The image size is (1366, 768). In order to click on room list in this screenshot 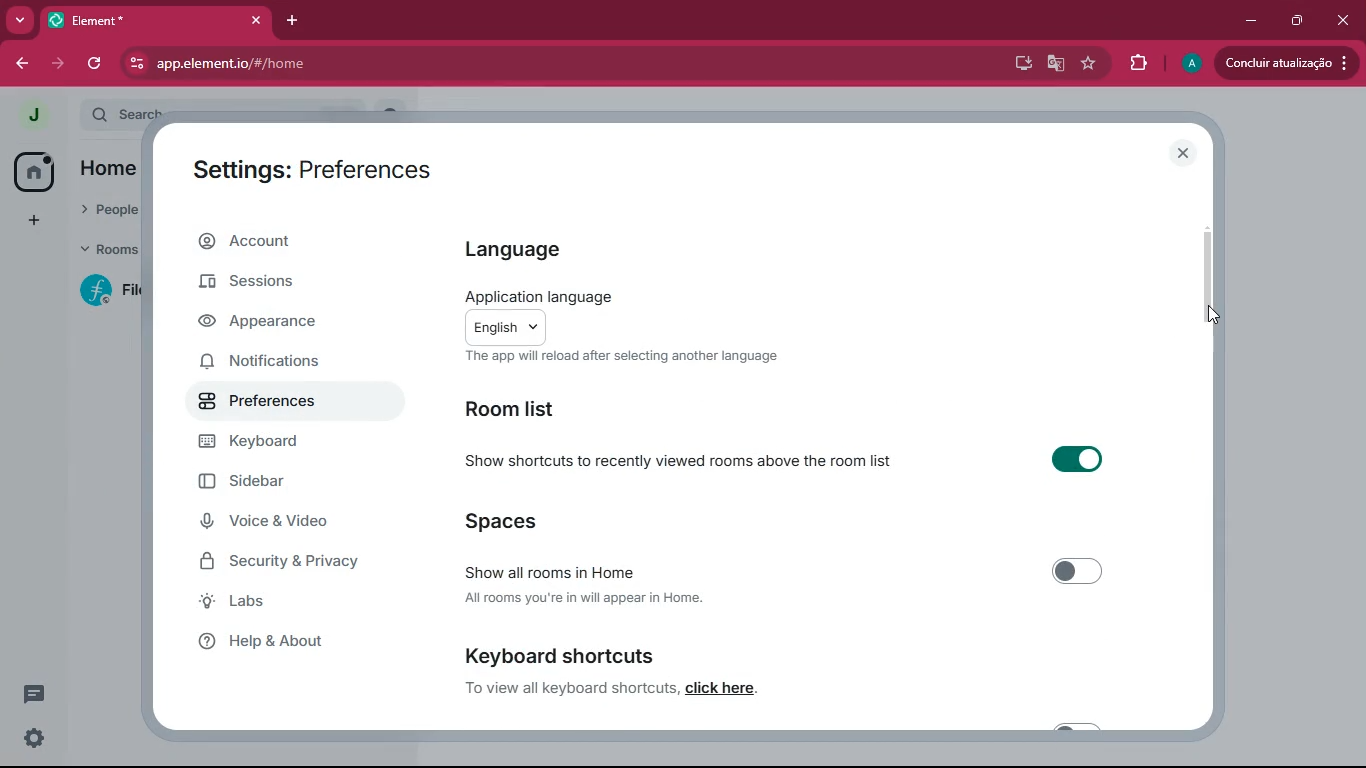, I will do `click(522, 410)`.